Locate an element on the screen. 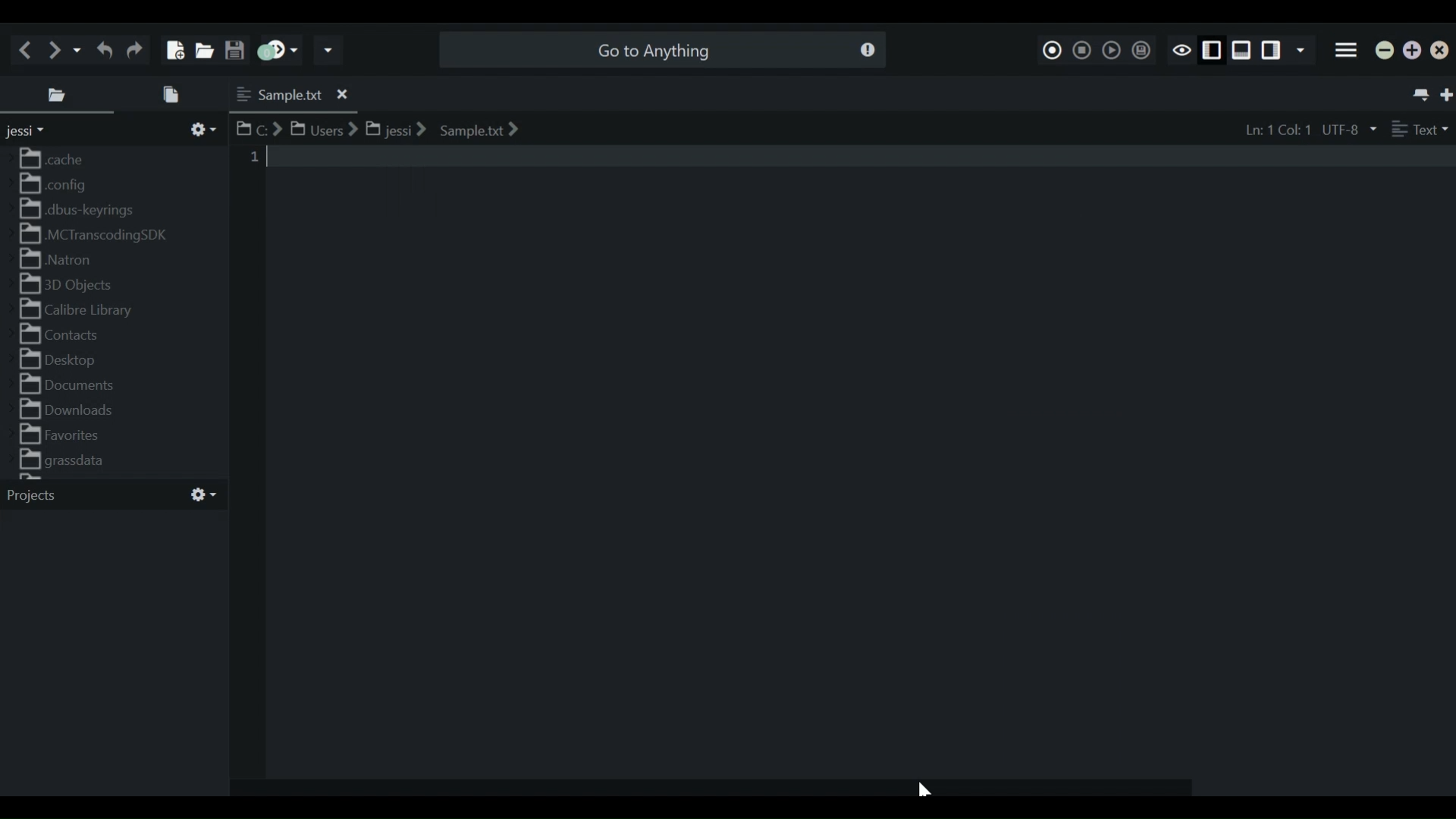 Image resolution: width=1456 pixels, height=819 pixels. Redo is located at coordinates (133, 49).